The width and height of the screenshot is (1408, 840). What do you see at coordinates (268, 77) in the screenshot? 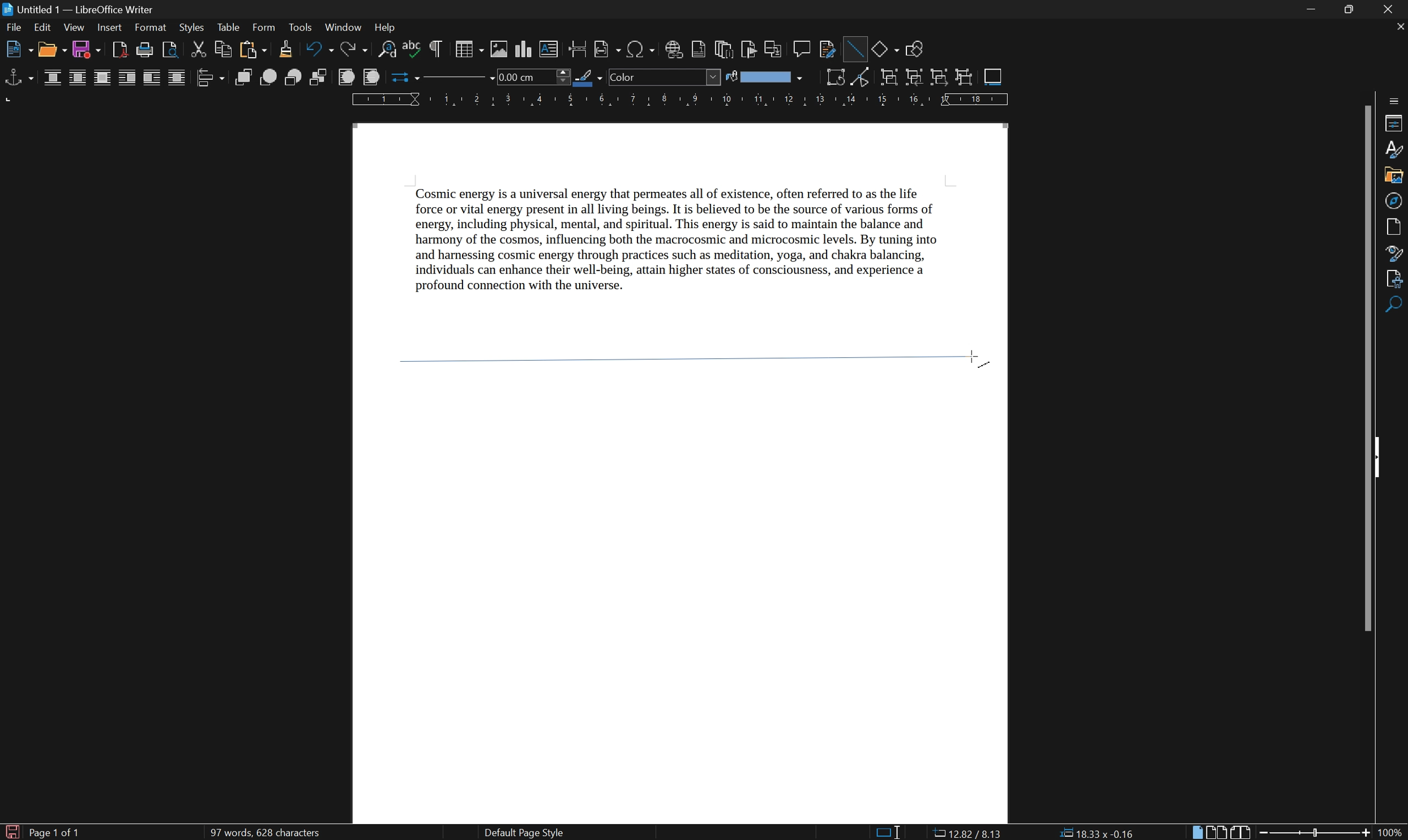
I see `forward one` at bounding box center [268, 77].